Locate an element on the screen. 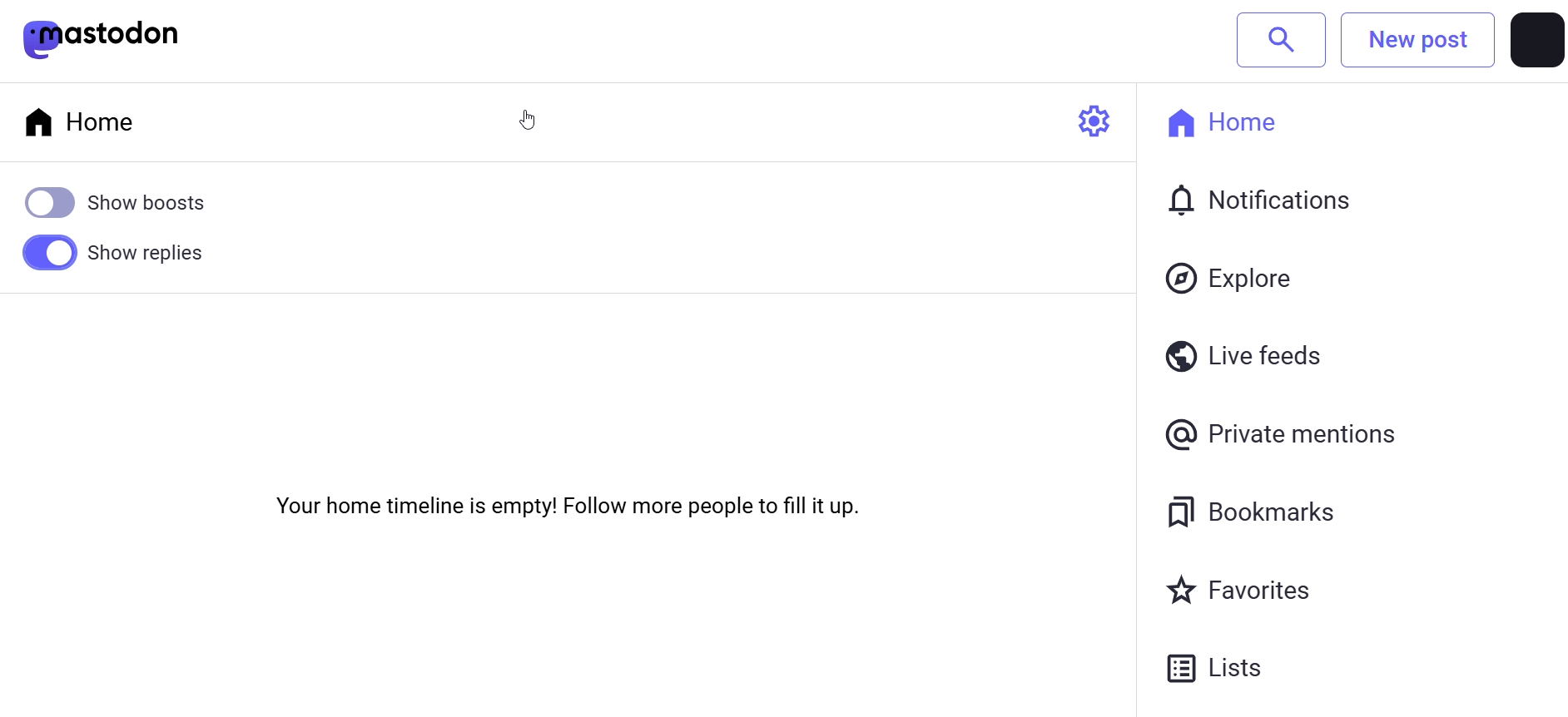 Image resolution: width=1568 pixels, height=717 pixels. profile is located at coordinates (1539, 43).